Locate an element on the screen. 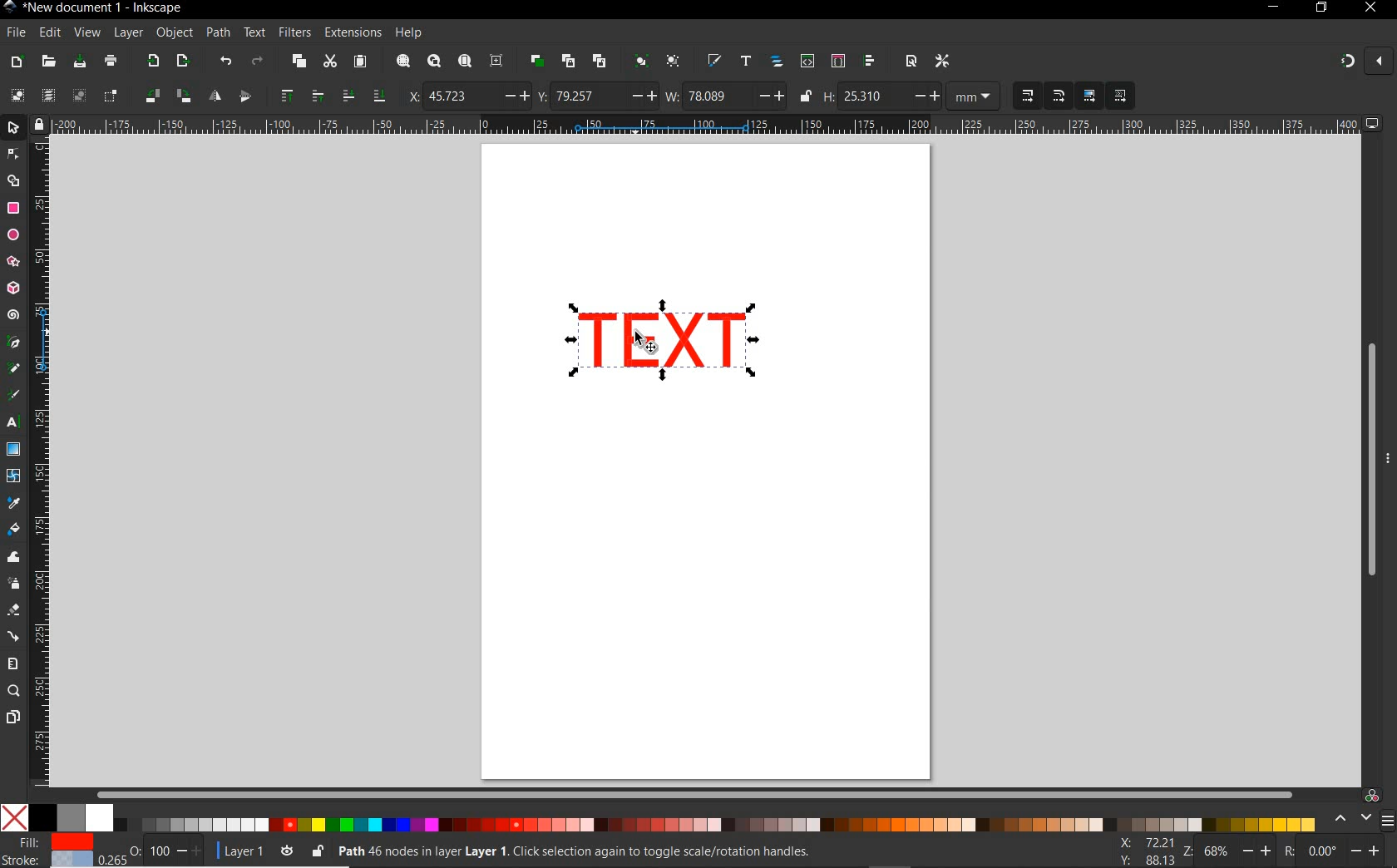 This screenshot has width=1397, height=868. GROUP is located at coordinates (639, 60).